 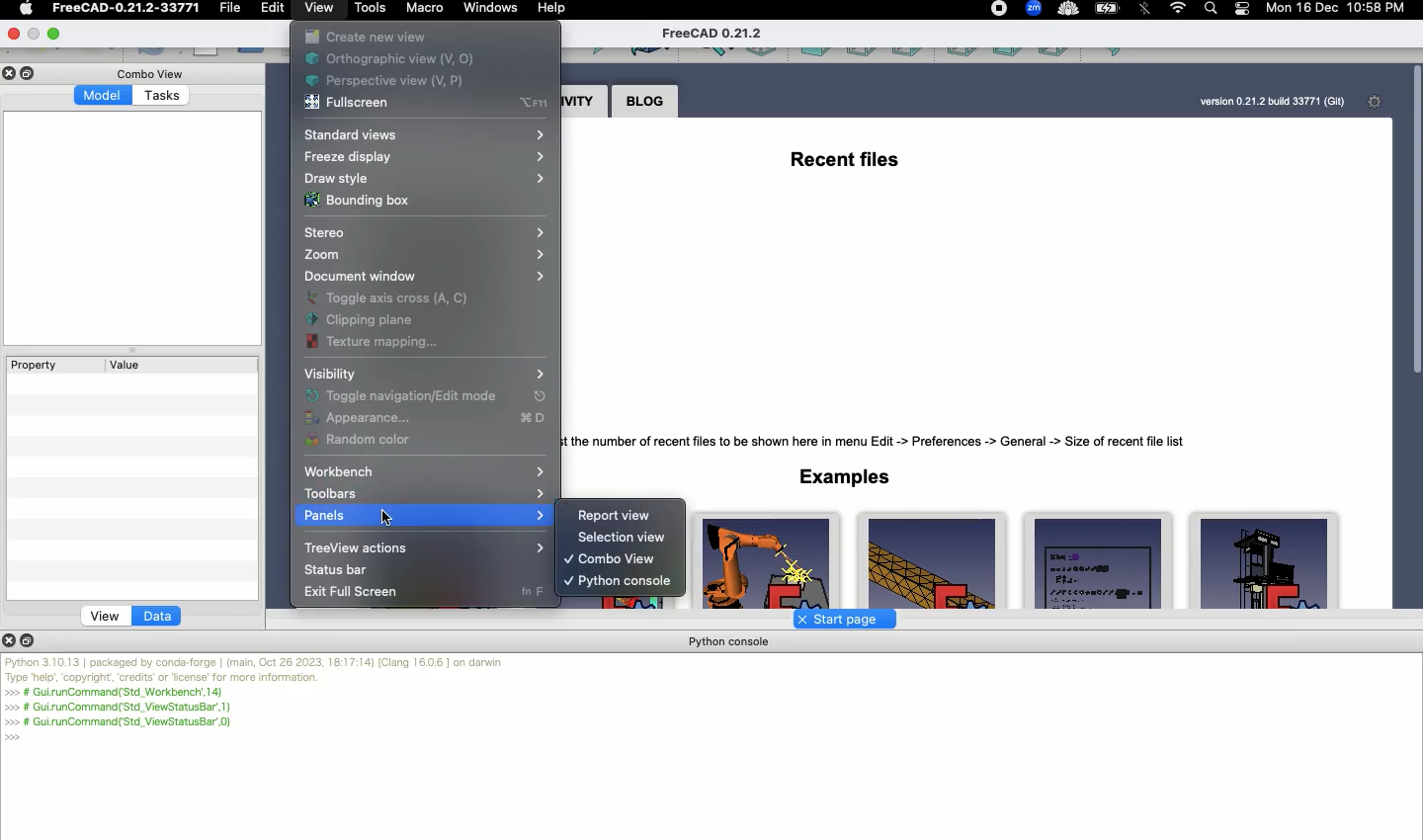 What do you see at coordinates (126, 8) in the screenshot?
I see `FreeCAD-0.21.2033771` at bounding box center [126, 8].